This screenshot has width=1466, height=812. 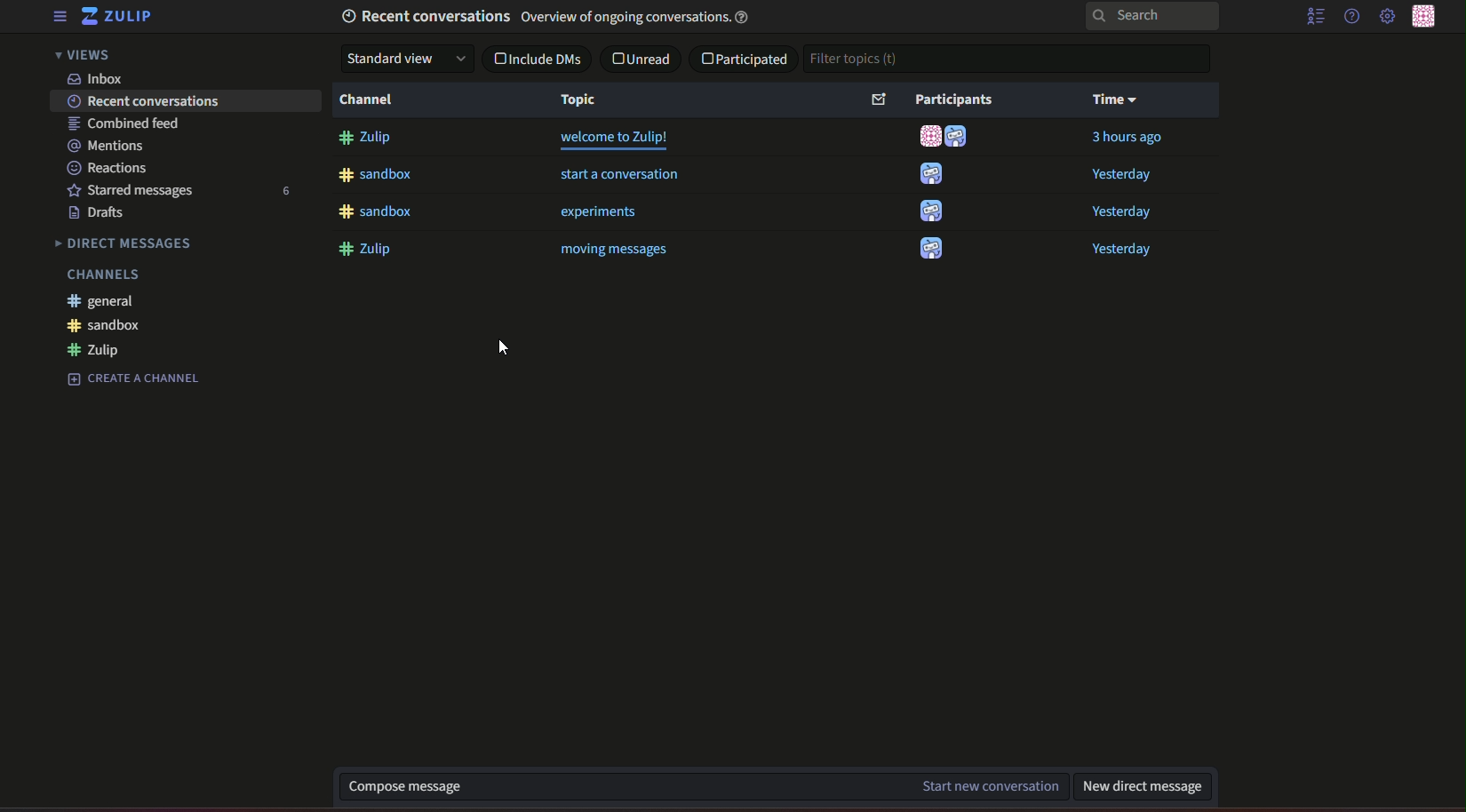 I want to click on number, so click(x=288, y=191).